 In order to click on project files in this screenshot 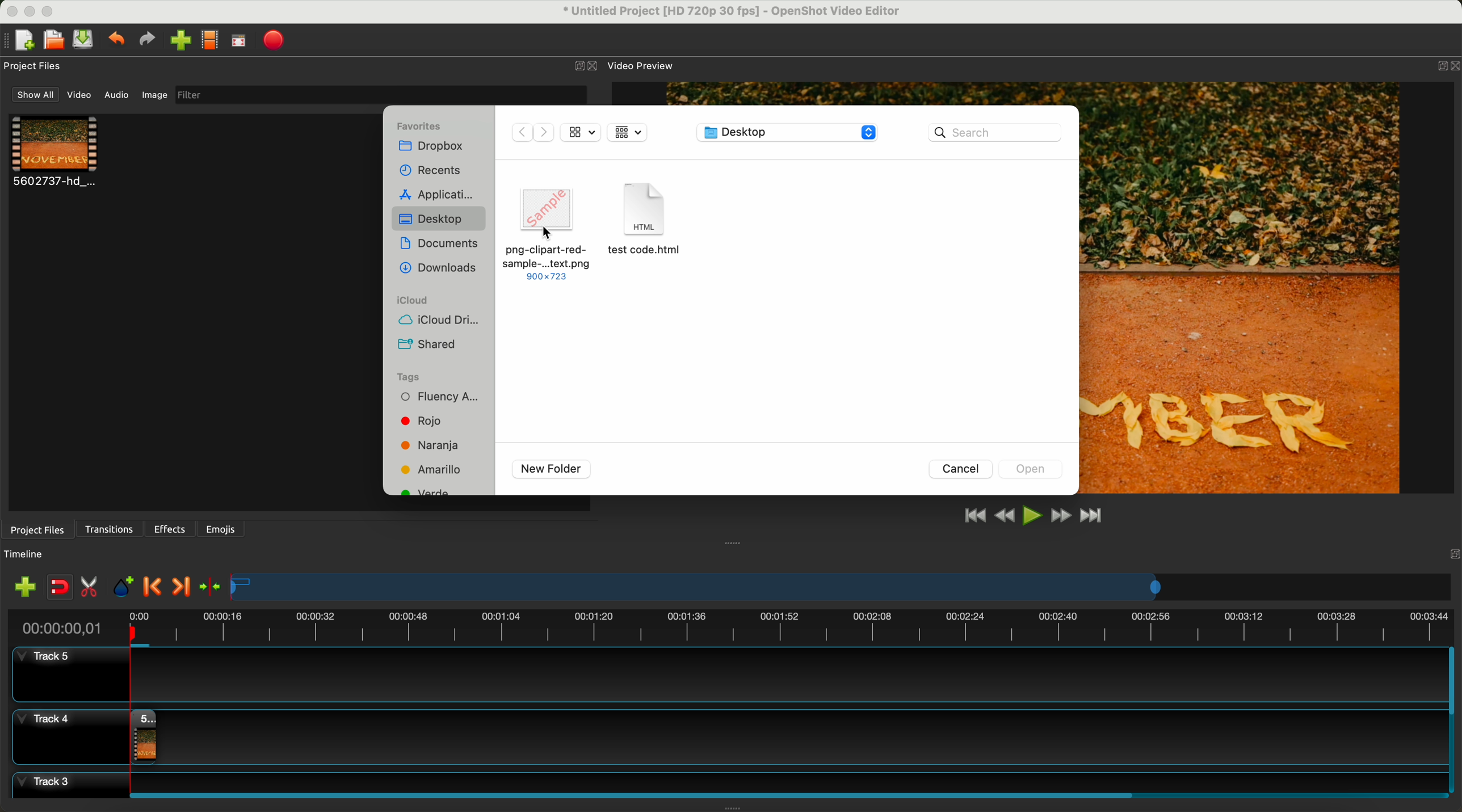, I will do `click(36, 529)`.